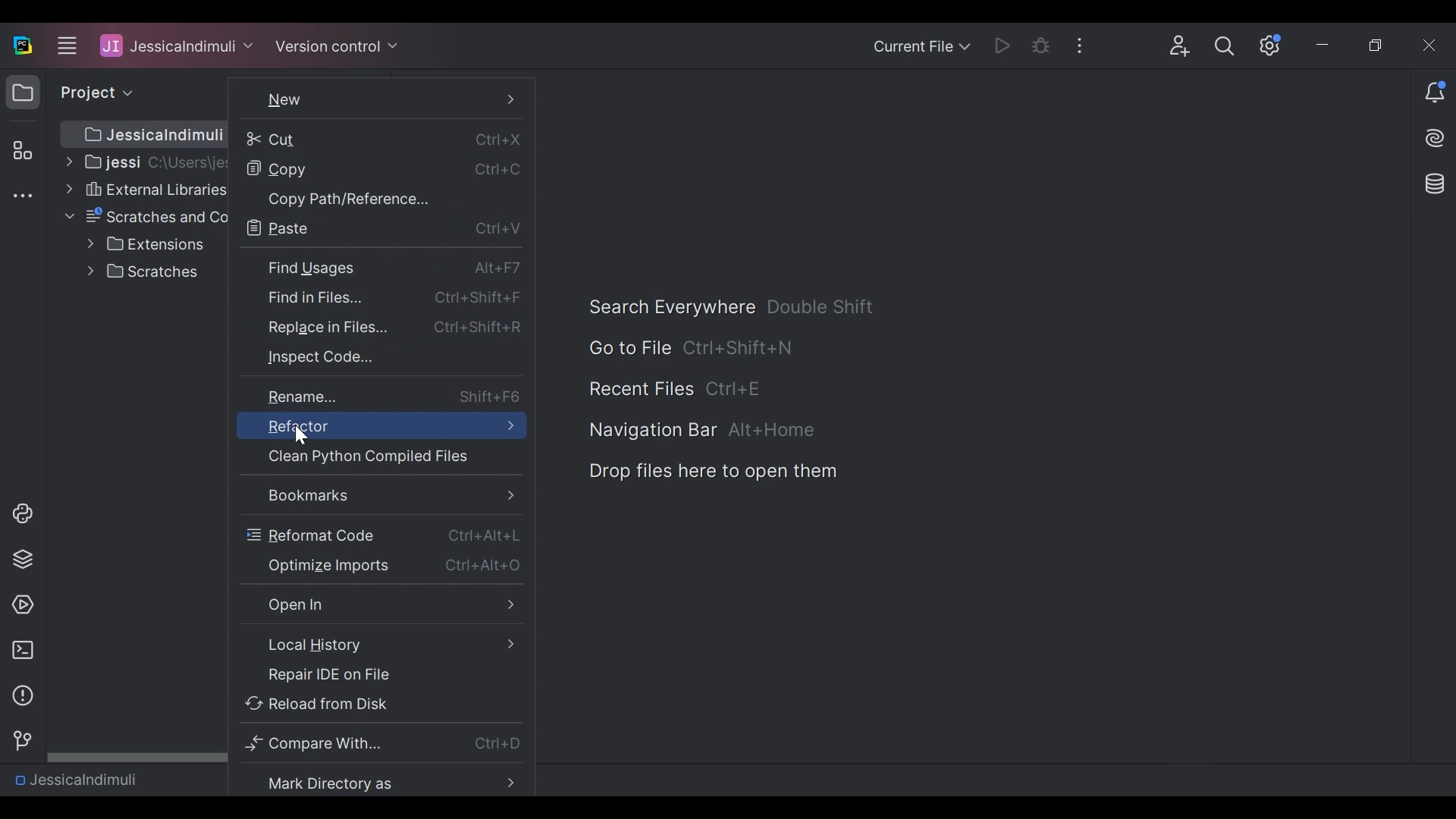  What do you see at coordinates (1005, 45) in the screenshot?
I see `Run` at bounding box center [1005, 45].